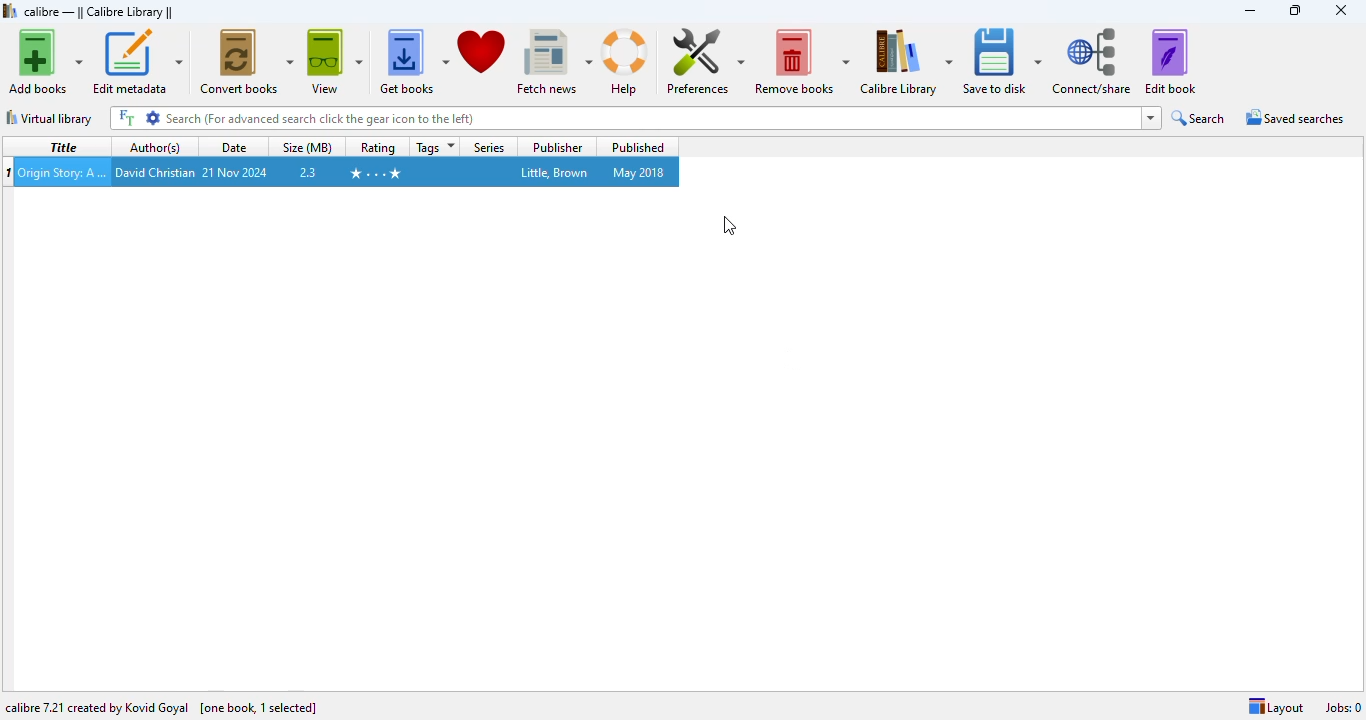  What do you see at coordinates (335, 62) in the screenshot?
I see `view` at bounding box center [335, 62].